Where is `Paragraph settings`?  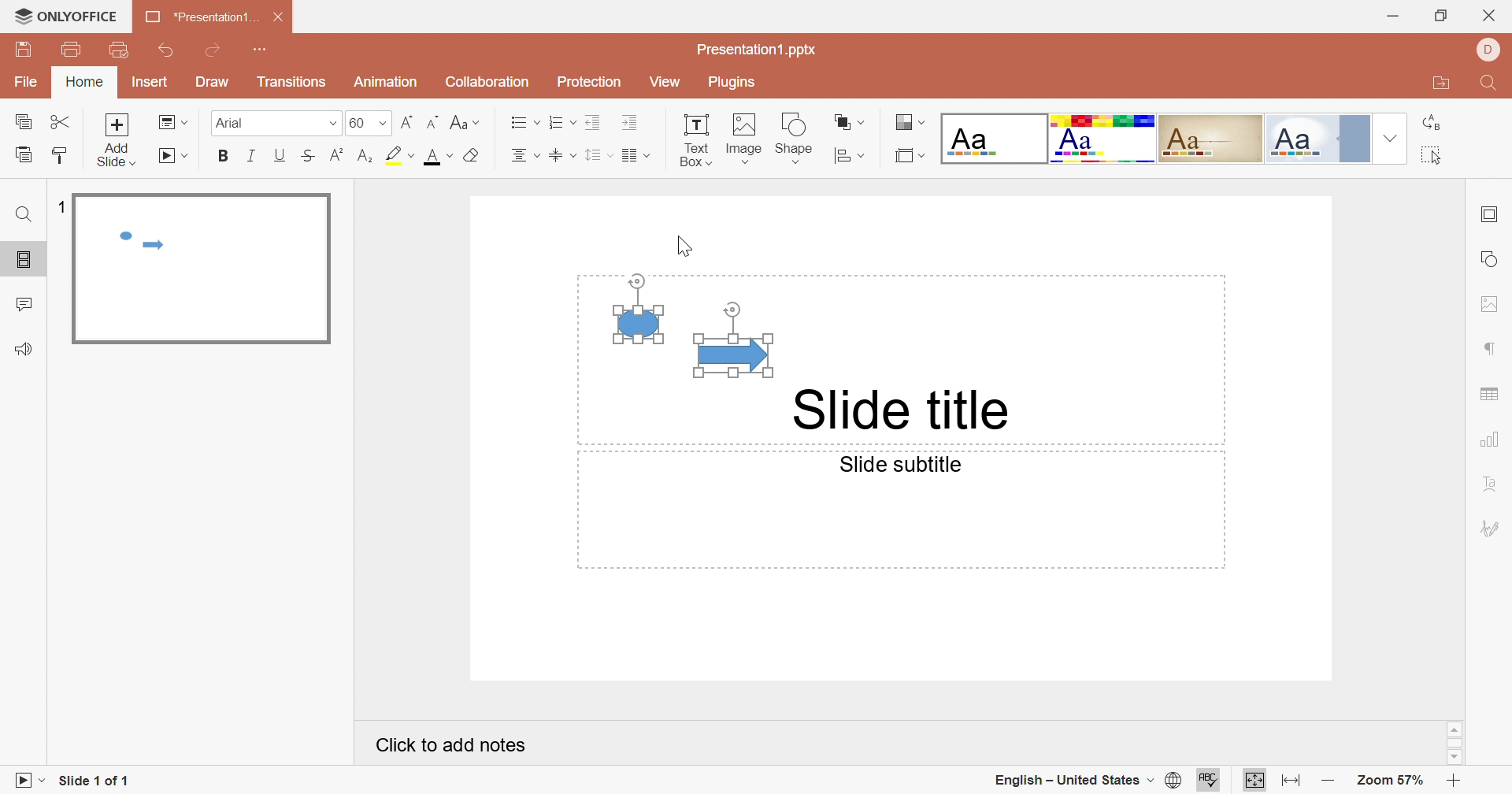 Paragraph settings is located at coordinates (1491, 350).